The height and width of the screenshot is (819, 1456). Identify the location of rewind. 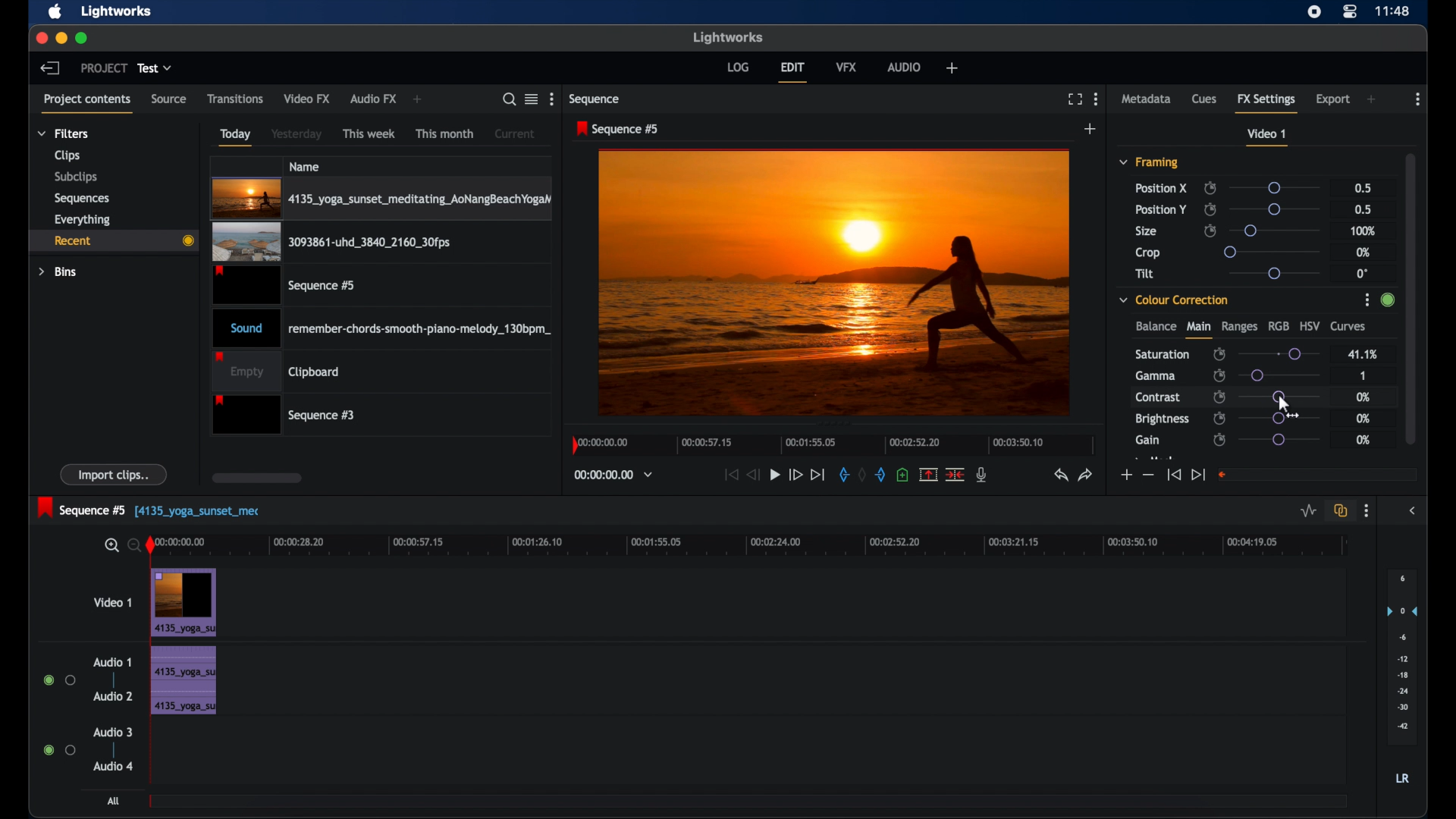
(755, 475).